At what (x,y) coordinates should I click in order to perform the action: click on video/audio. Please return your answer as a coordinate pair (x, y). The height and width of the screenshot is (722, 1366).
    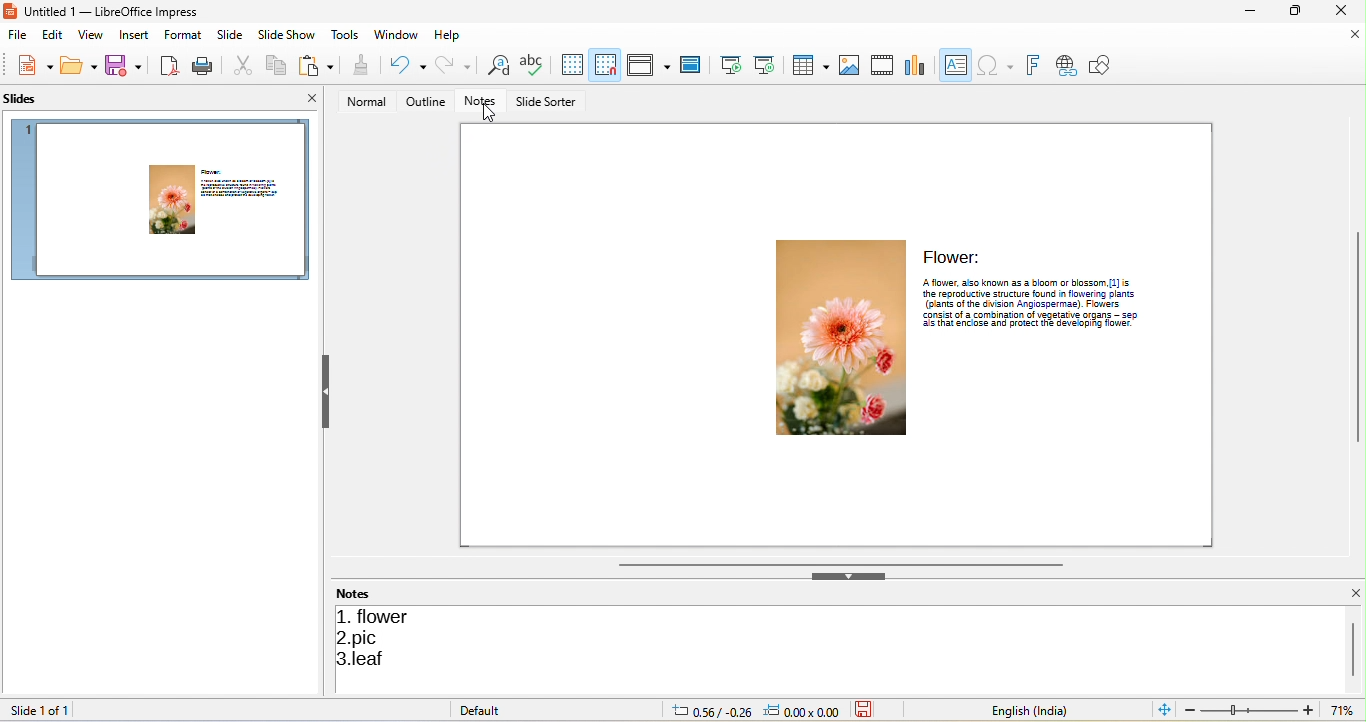
    Looking at the image, I should click on (881, 63).